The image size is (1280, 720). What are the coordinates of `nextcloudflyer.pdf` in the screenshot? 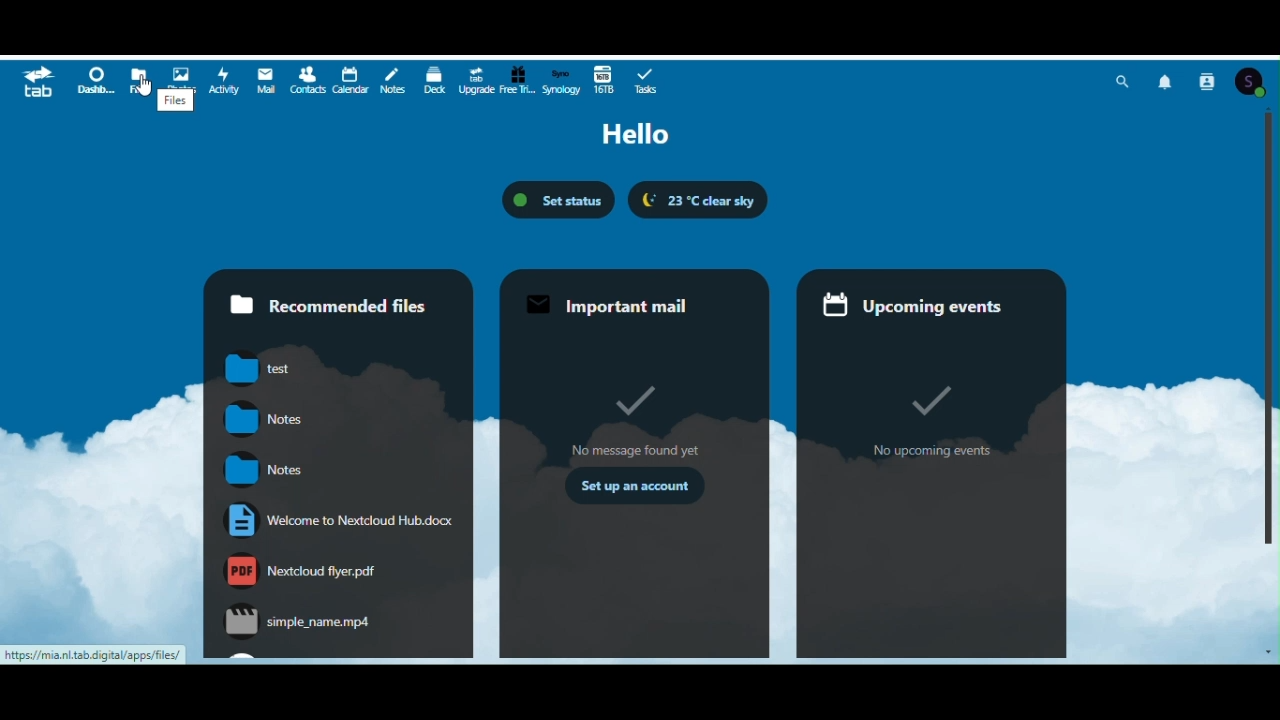 It's located at (301, 568).